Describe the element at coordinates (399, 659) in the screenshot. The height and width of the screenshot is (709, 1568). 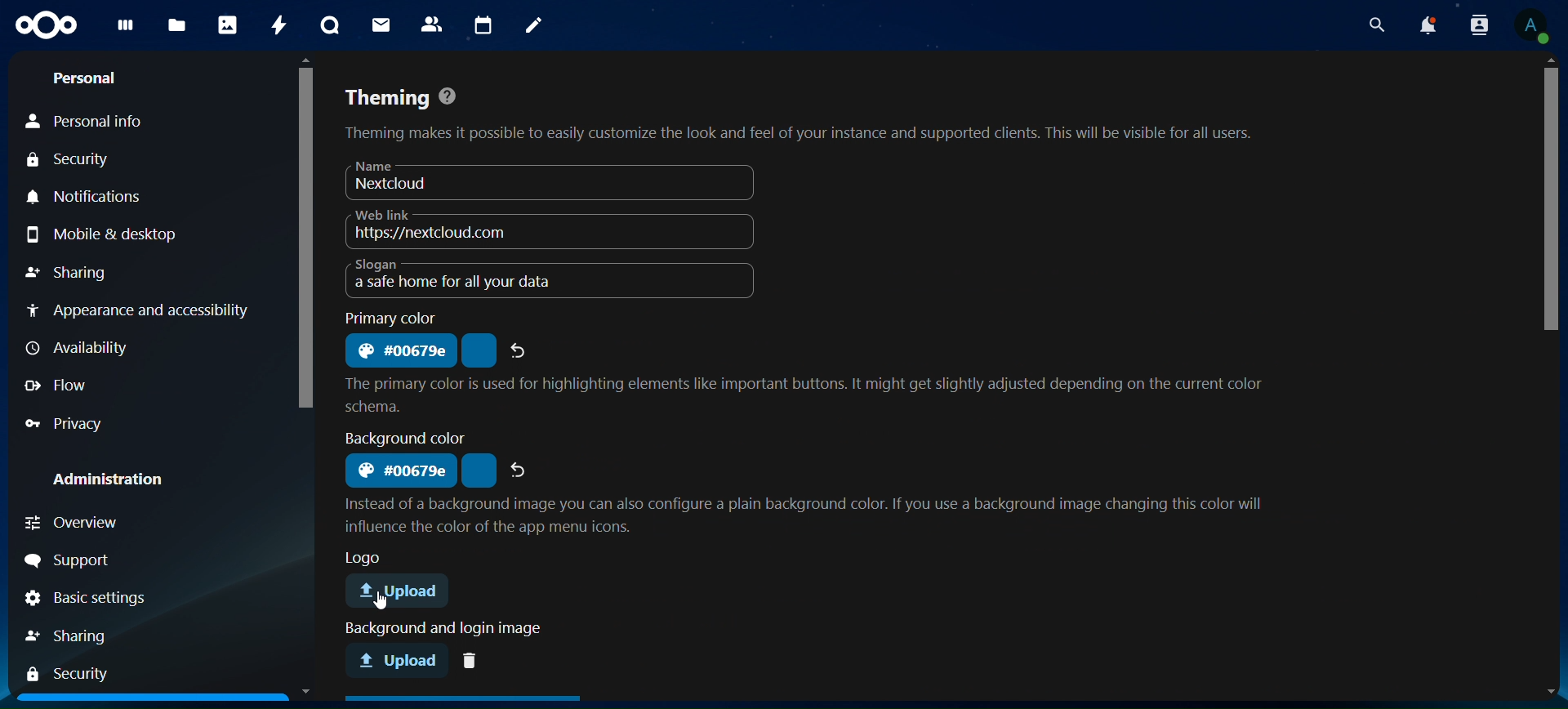
I see `background and login image upload` at that location.